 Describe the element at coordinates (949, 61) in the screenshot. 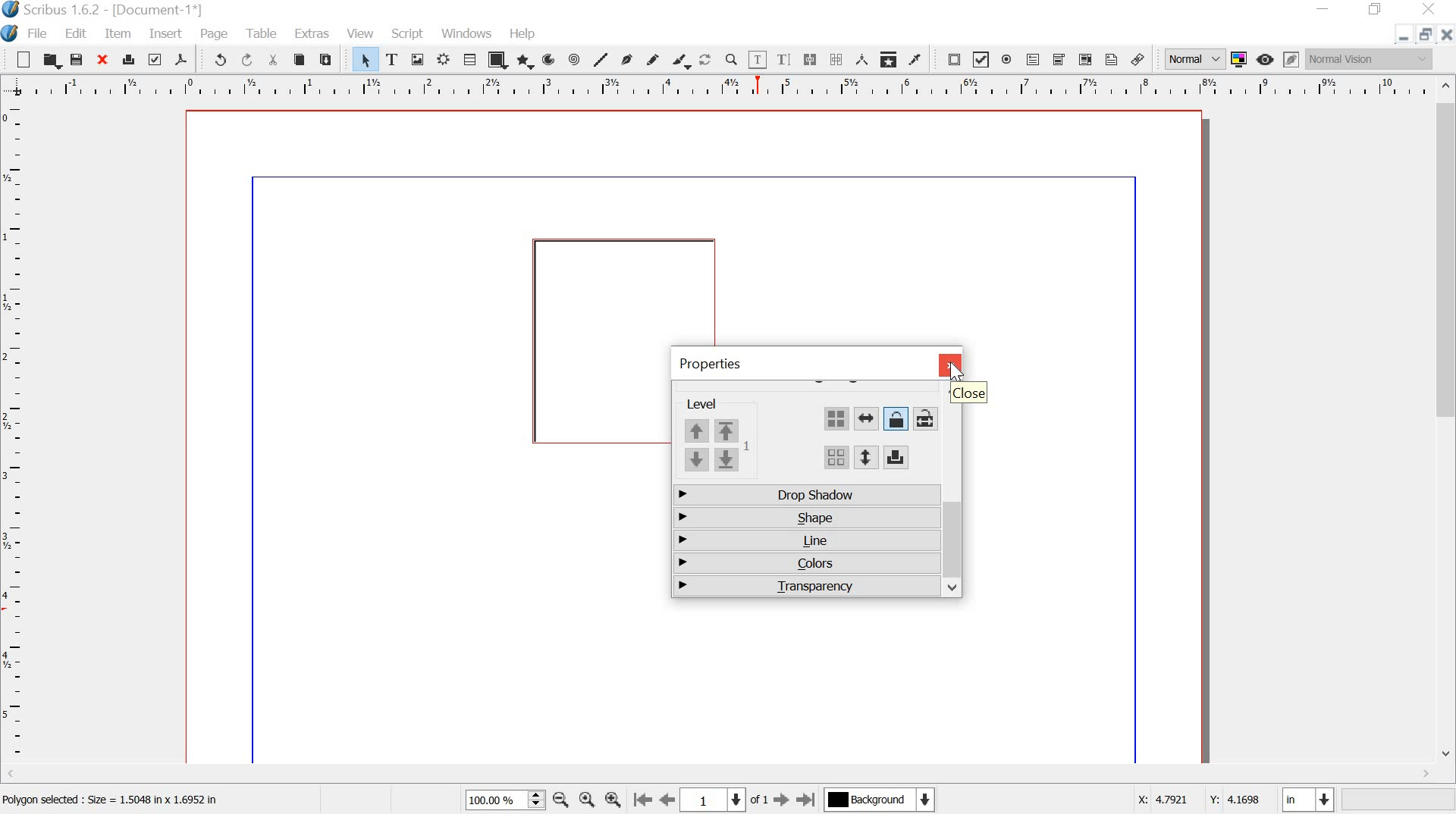

I see `pdf push button` at that location.